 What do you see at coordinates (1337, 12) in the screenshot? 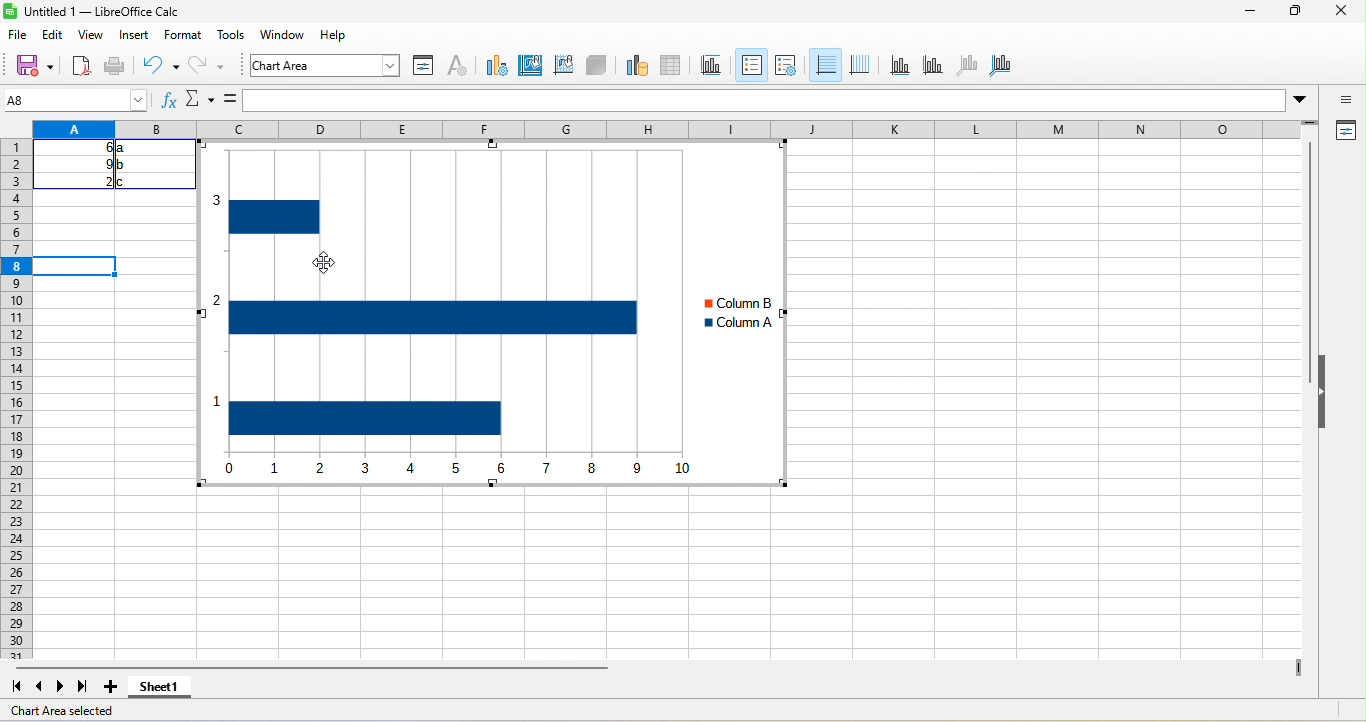
I see `close` at bounding box center [1337, 12].